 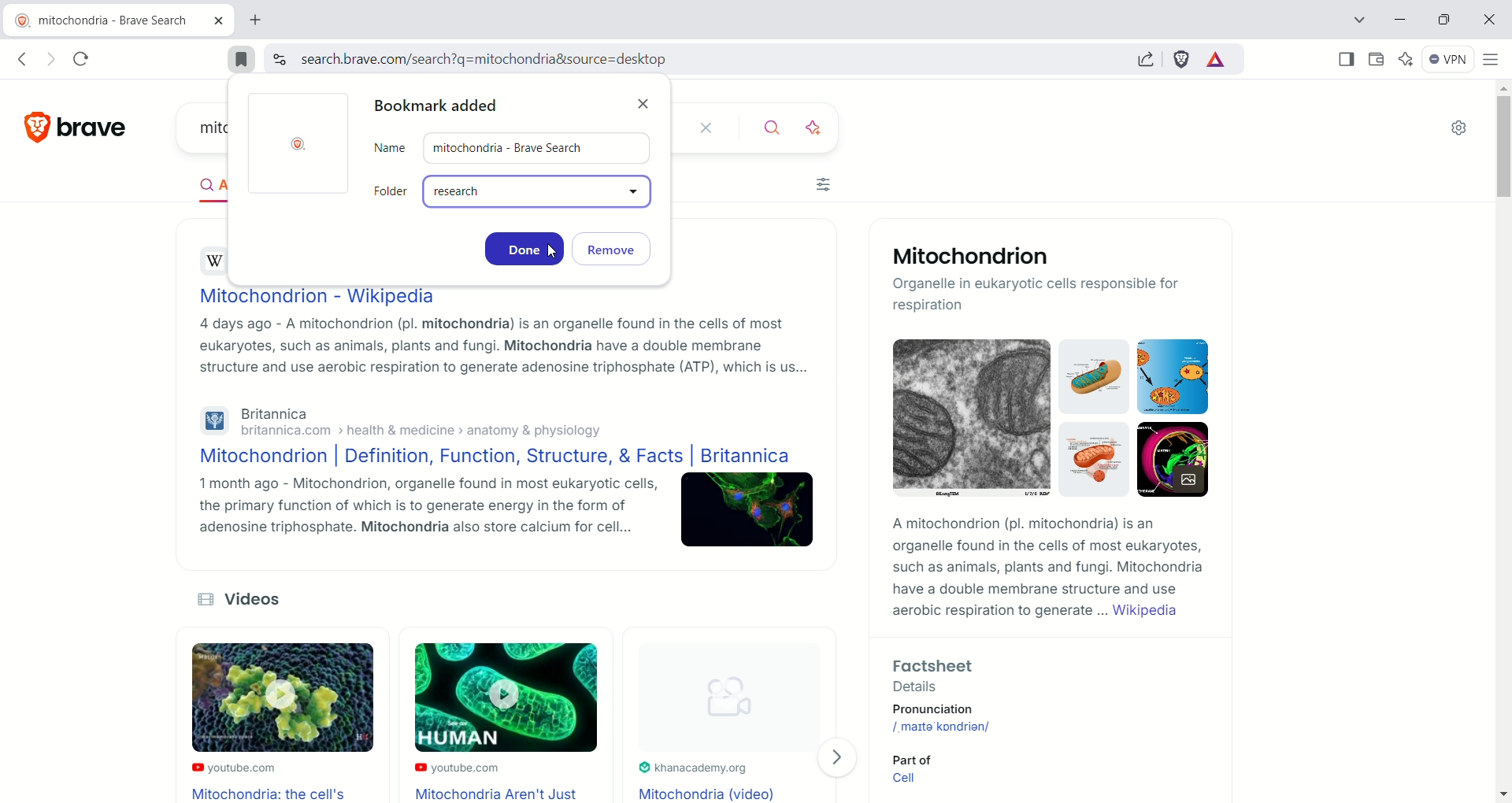 I want to click on Mitochondria Aren't Just, so click(x=503, y=794).